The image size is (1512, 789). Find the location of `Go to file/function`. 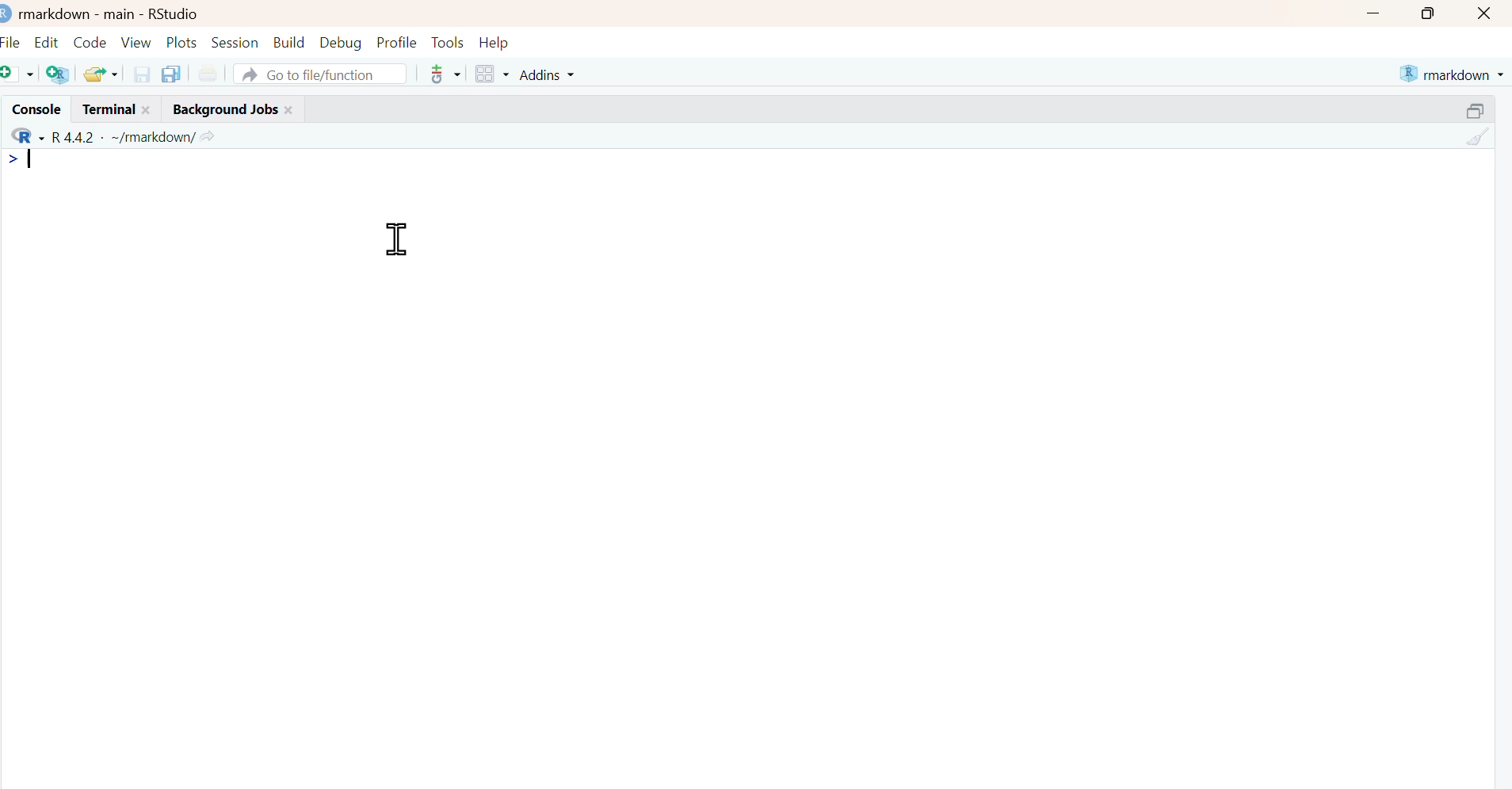

Go to file/function is located at coordinates (322, 73).